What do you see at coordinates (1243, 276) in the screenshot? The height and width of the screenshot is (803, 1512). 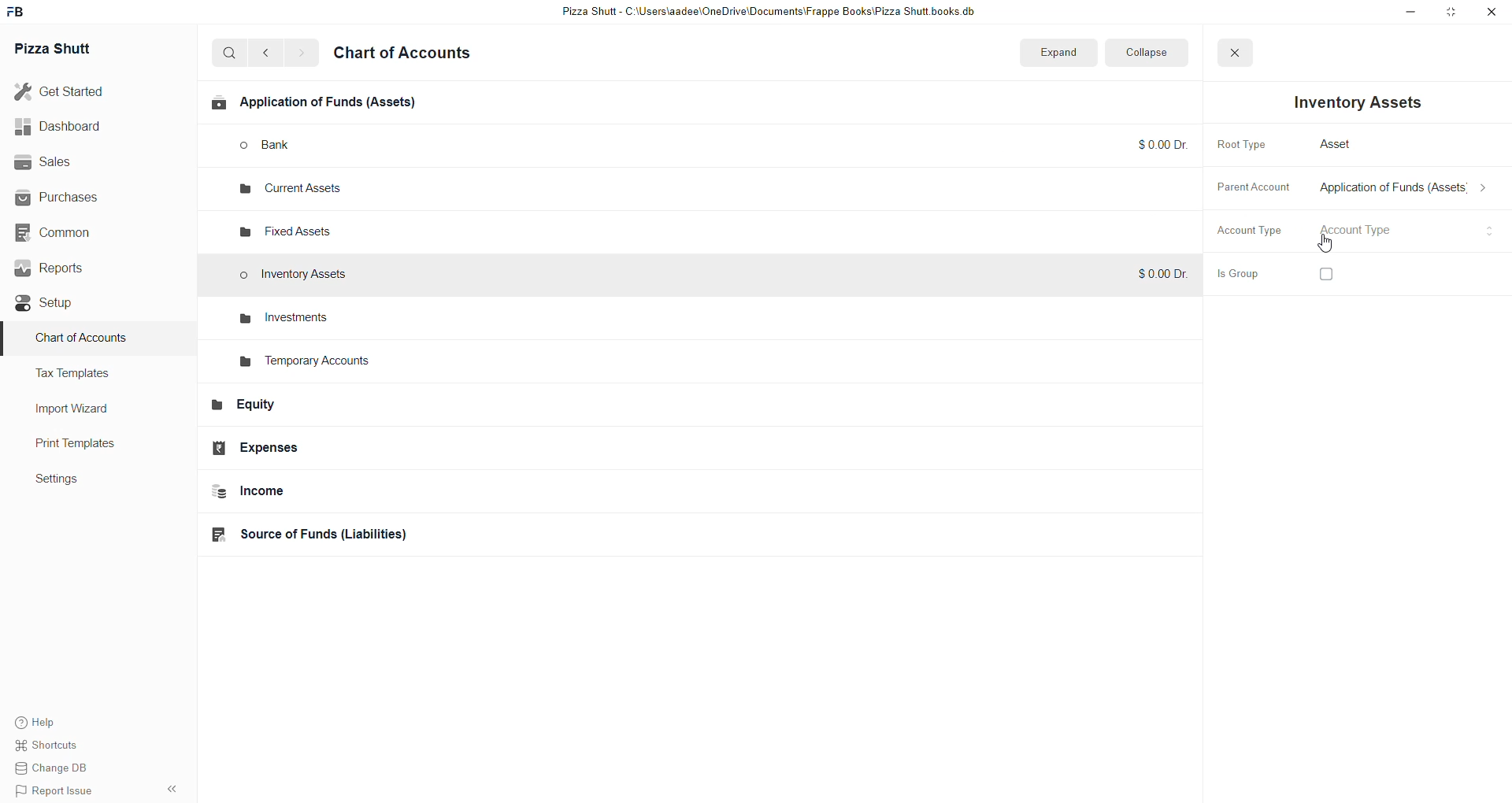 I see `is Group ` at bounding box center [1243, 276].